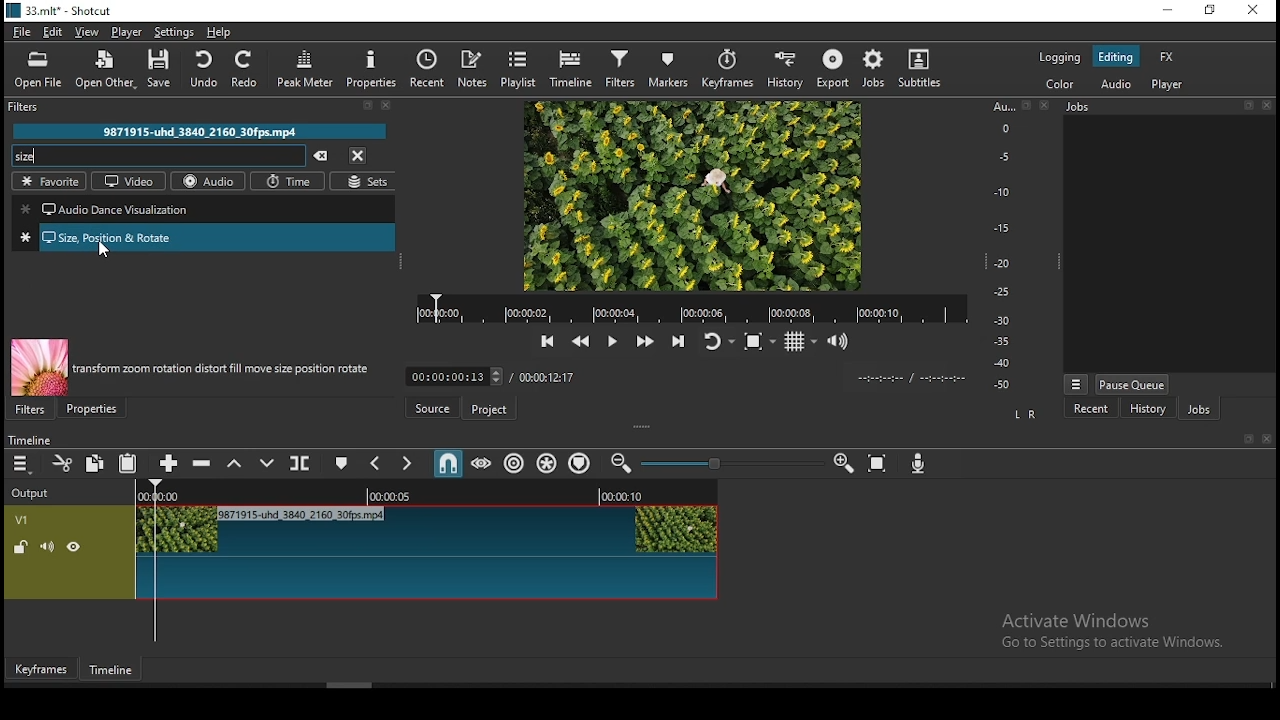 The width and height of the screenshot is (1280, 720). What do you see at coordinates (1118, 58) in the screenshot?
I see `editing` at bounding box center [1118, 58].